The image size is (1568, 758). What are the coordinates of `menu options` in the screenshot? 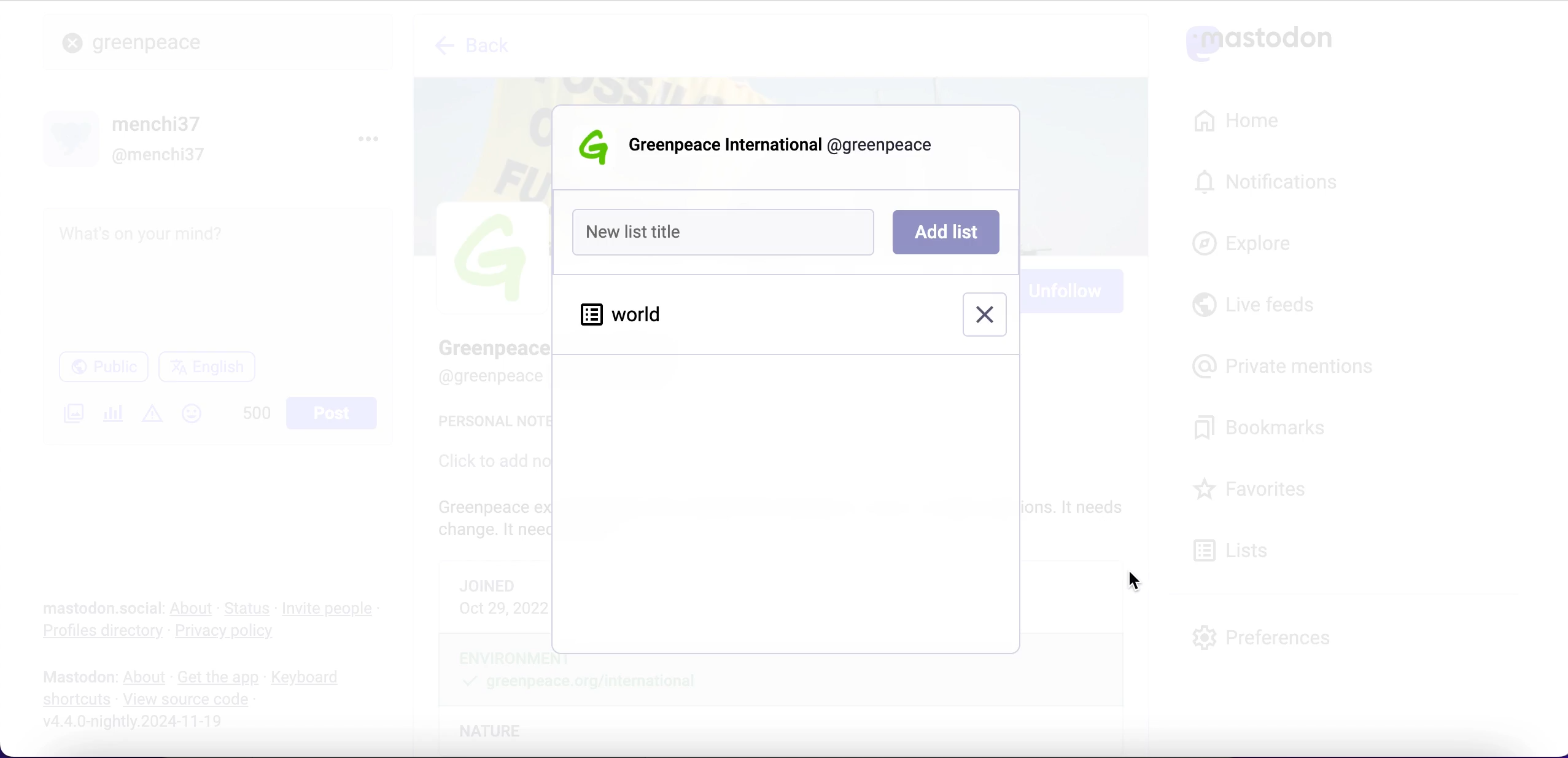 It's located at (373, 138).